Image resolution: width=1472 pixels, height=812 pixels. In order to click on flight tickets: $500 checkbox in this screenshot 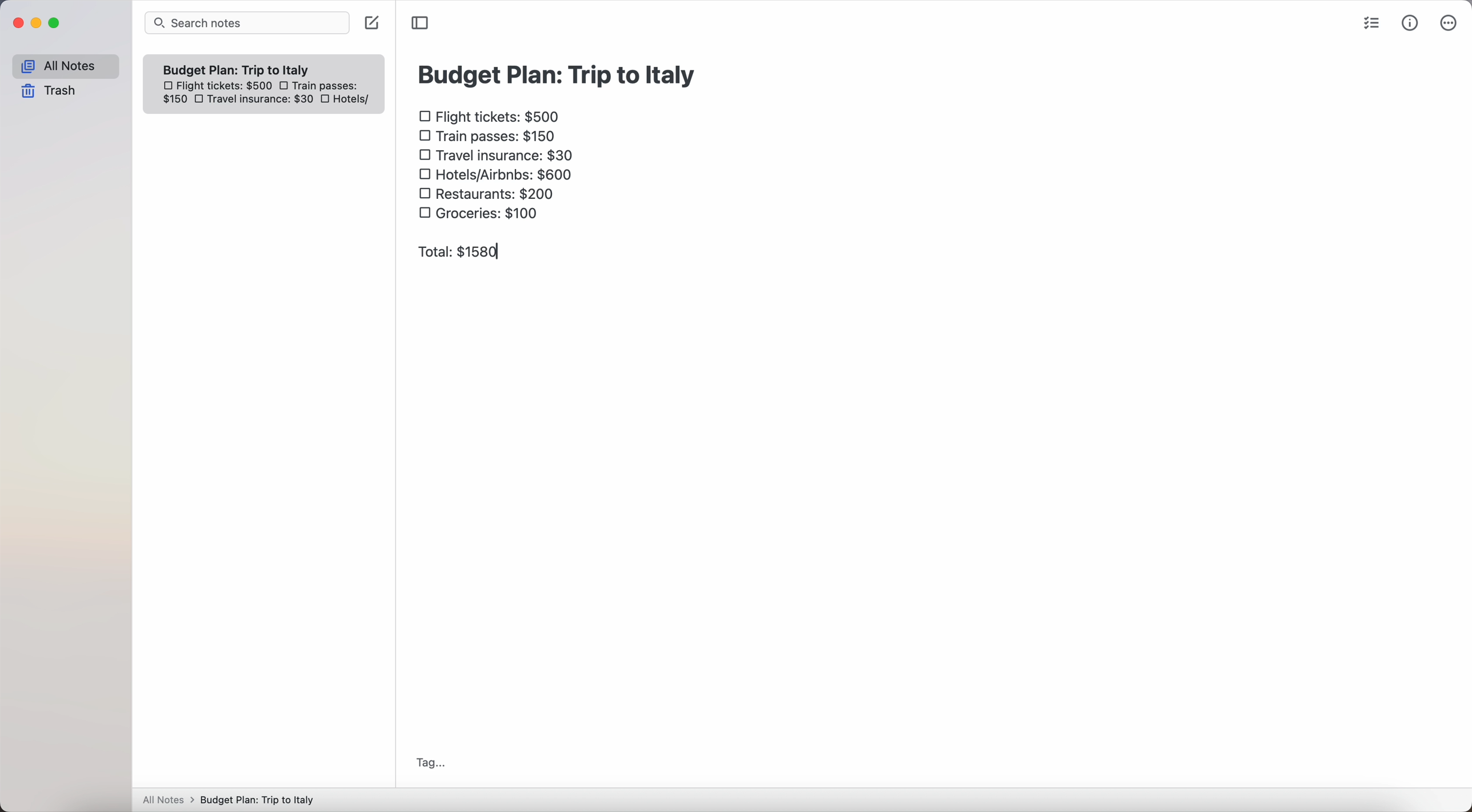, I will do `click(493, 118)`.